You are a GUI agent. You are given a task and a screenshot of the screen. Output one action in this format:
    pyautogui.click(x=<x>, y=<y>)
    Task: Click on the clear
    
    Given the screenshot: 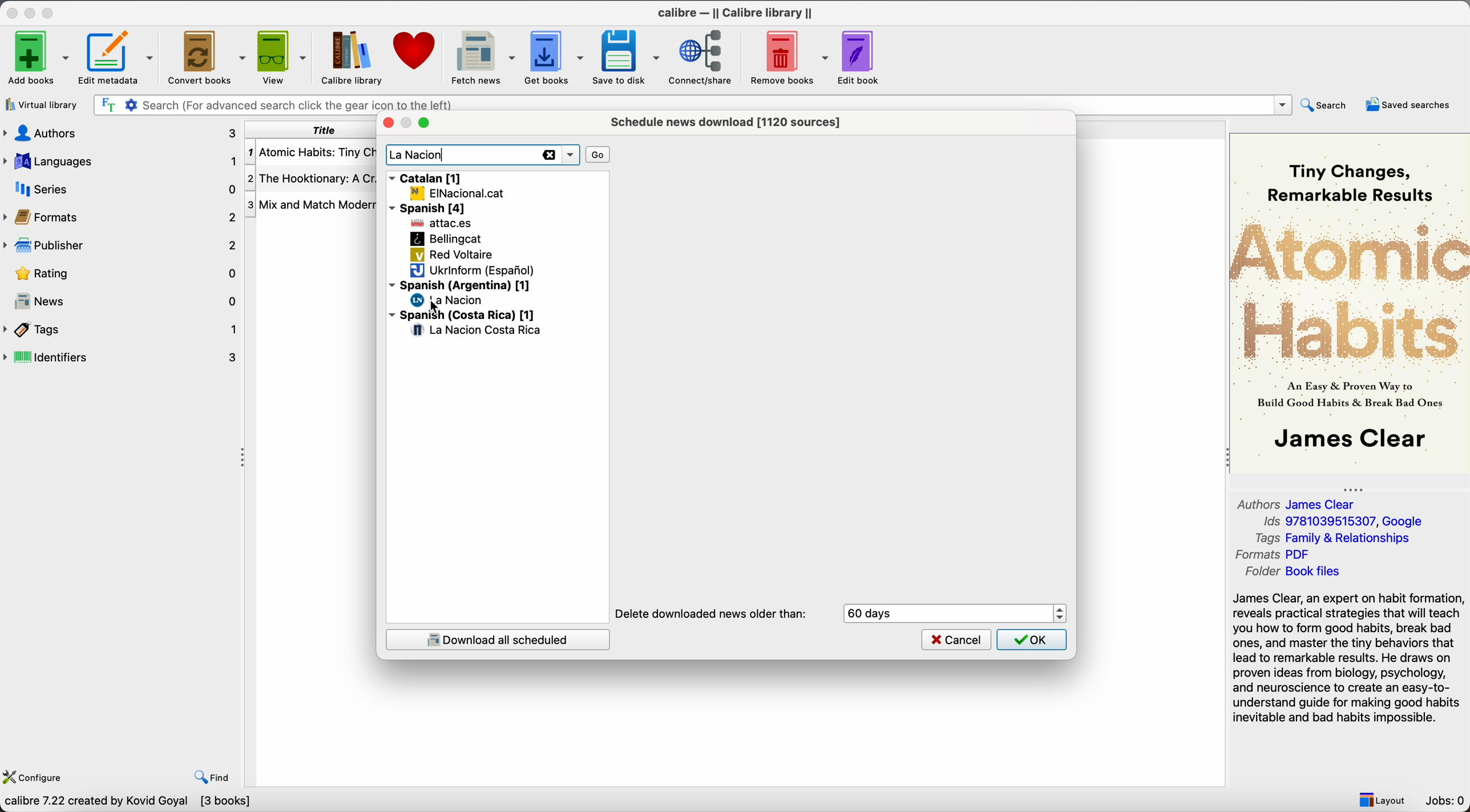 What is the action you would take?
    pyautogui.click(x=547, y=156)
    